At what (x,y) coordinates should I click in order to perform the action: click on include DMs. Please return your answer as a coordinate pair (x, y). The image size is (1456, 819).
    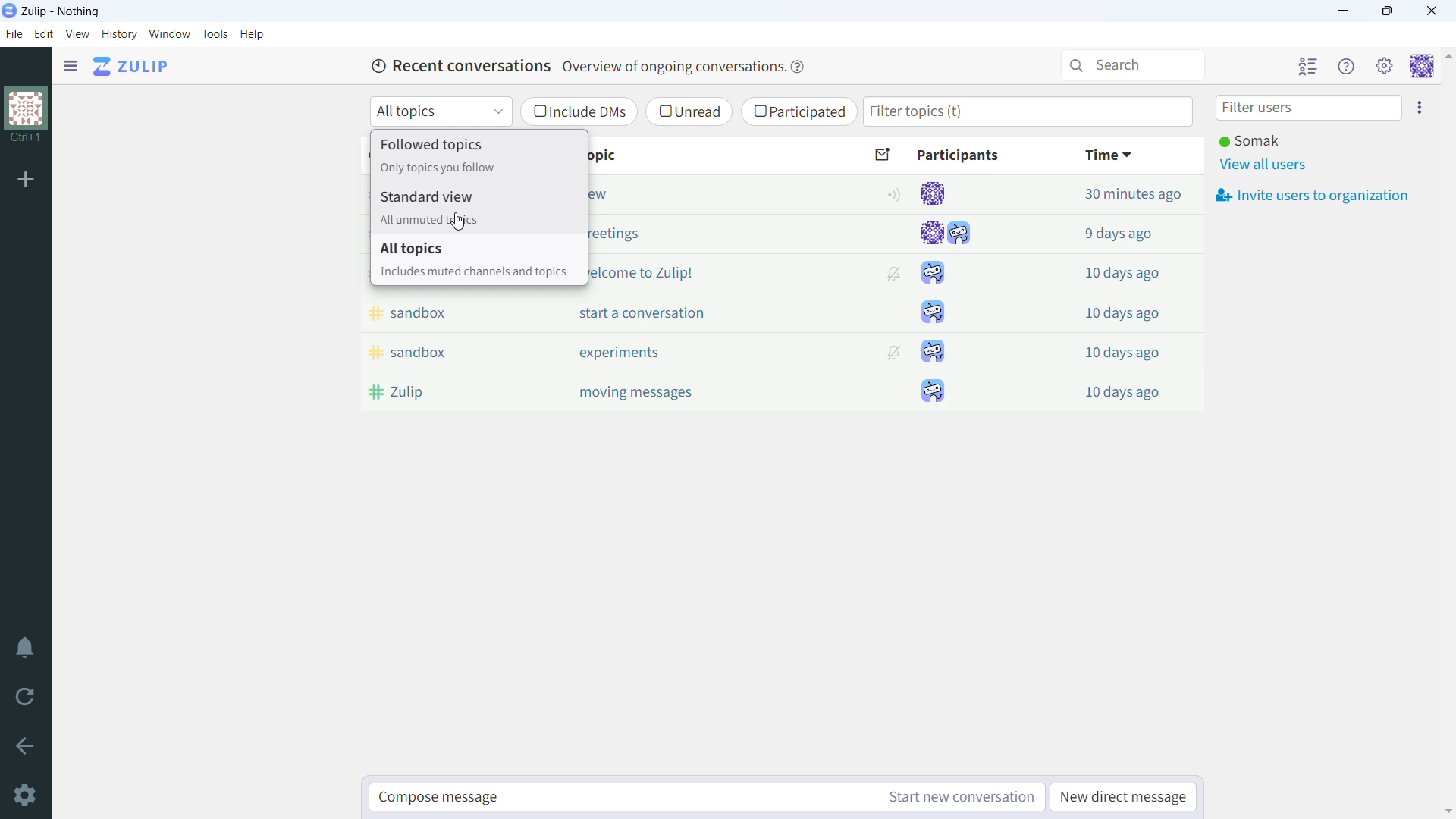
    Looking at the image, I should click on (578, 112).